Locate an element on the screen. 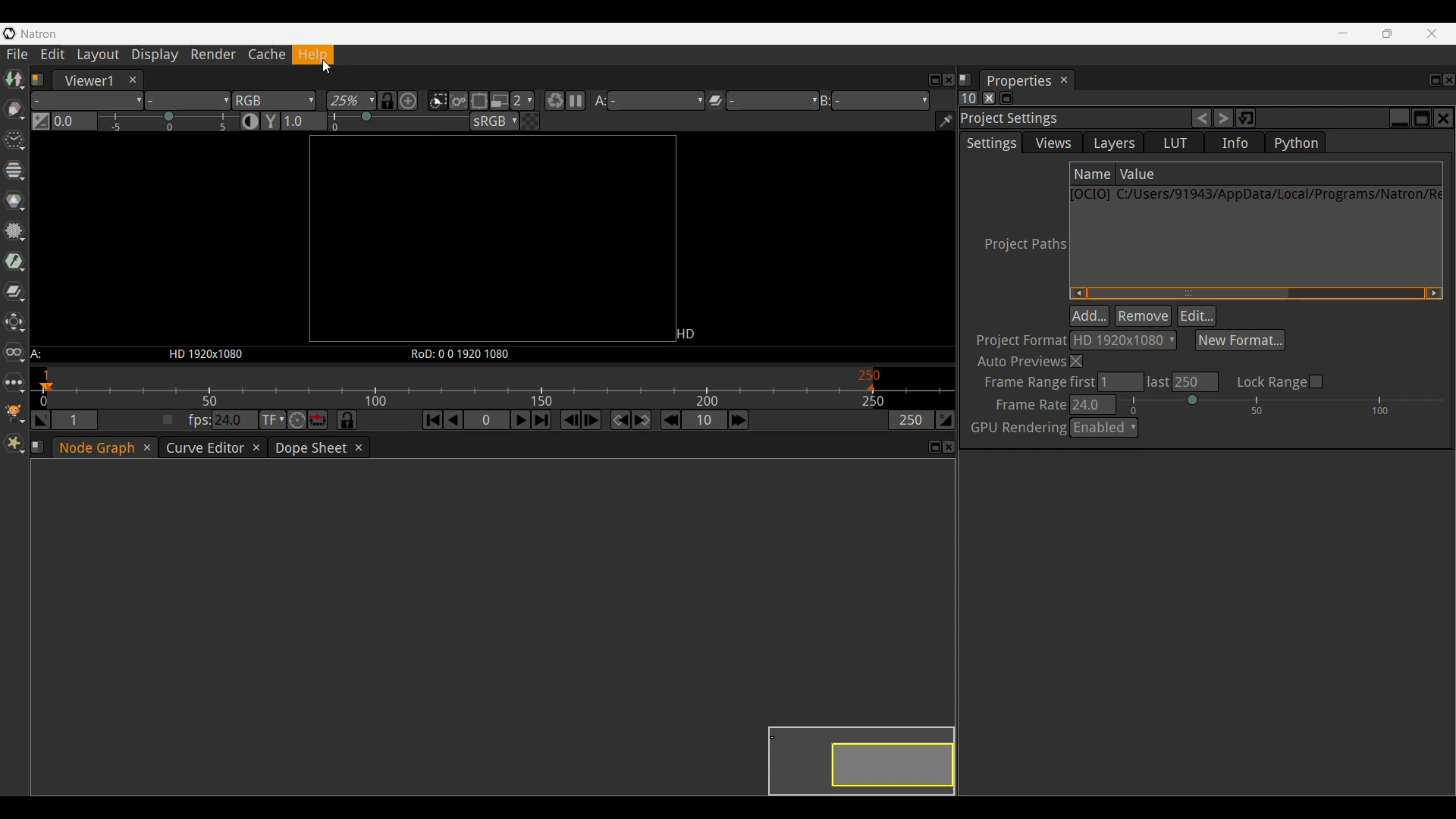  Switch between 1.0 gain f-stop and the previous setting is located at coordinates (40, 121).